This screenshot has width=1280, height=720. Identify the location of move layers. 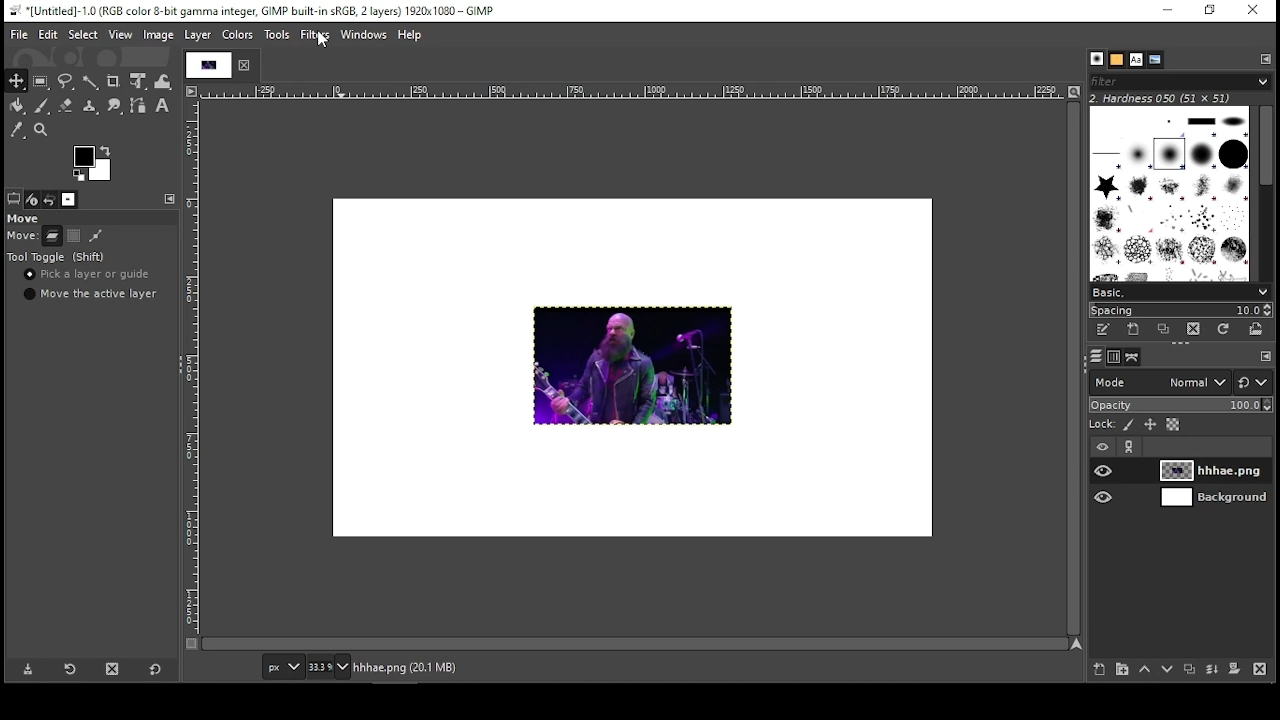
(51, 236).